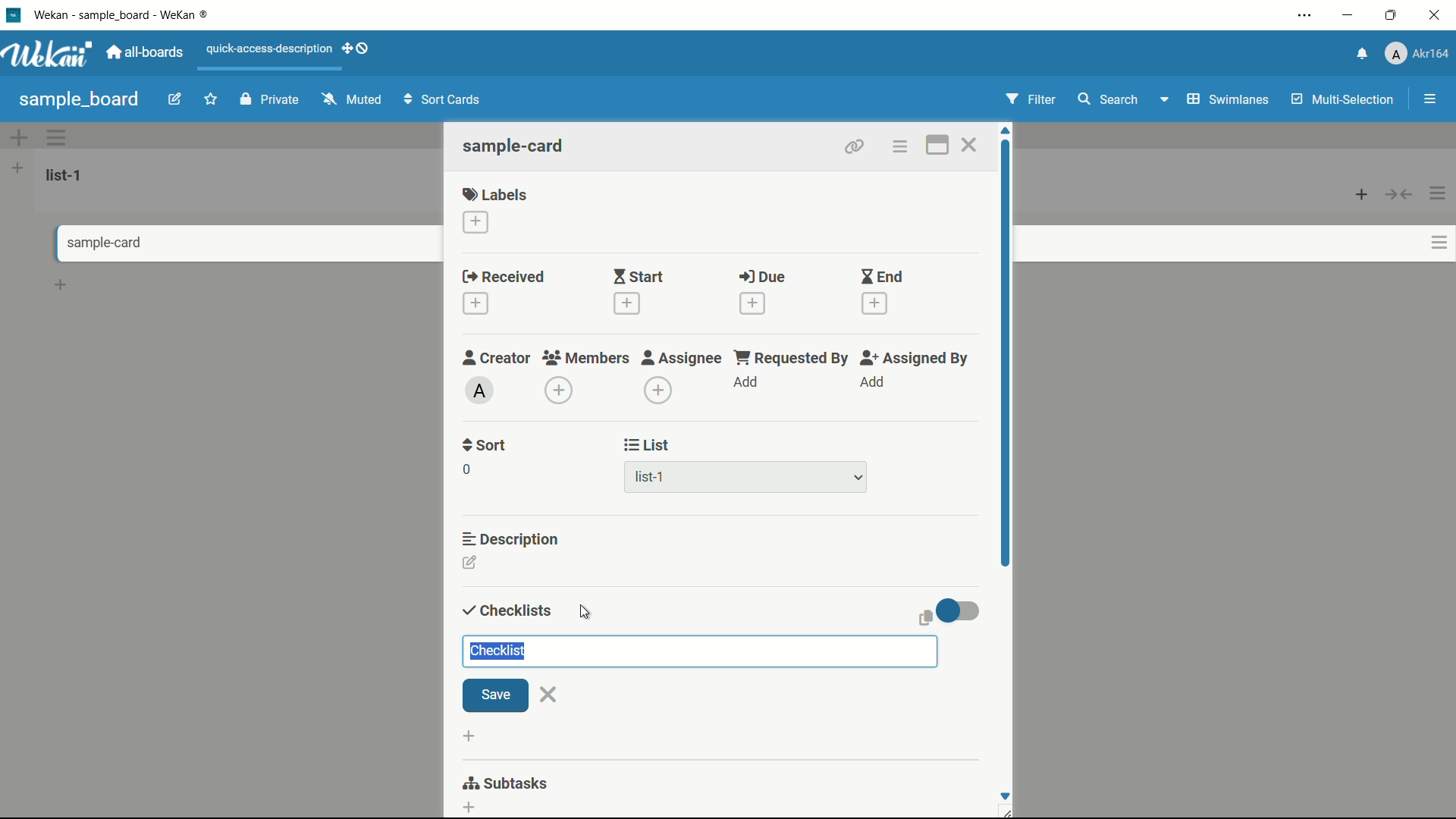  What do you see at coordinates (515, 146) in the screenshot?
I see `card name` at bounding box center [515, 146].